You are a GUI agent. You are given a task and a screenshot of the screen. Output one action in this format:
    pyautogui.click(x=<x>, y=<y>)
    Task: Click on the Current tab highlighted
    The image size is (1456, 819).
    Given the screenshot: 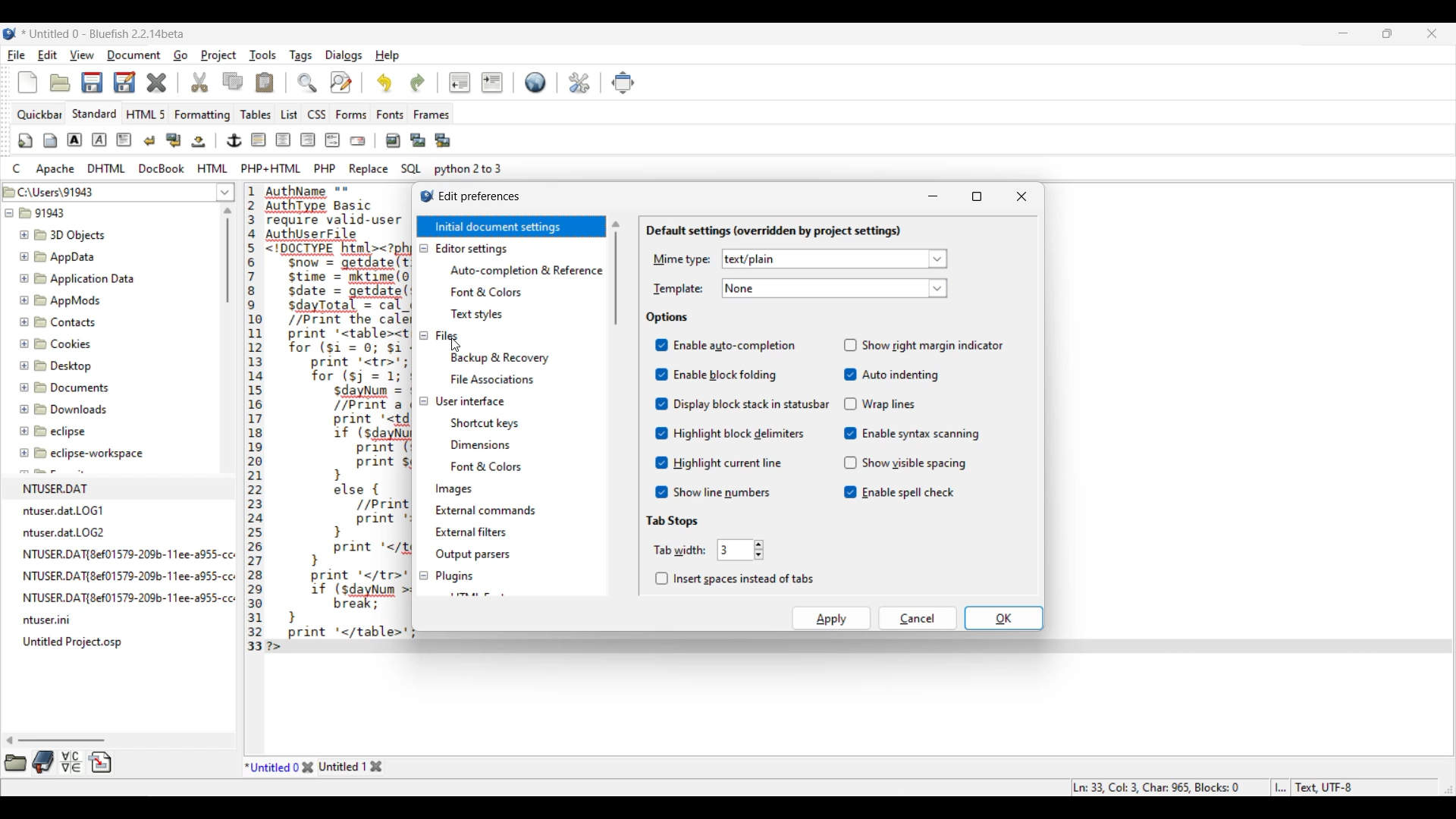 What is the action you would take?
    pyautogui.click(x=272, y=766)
    